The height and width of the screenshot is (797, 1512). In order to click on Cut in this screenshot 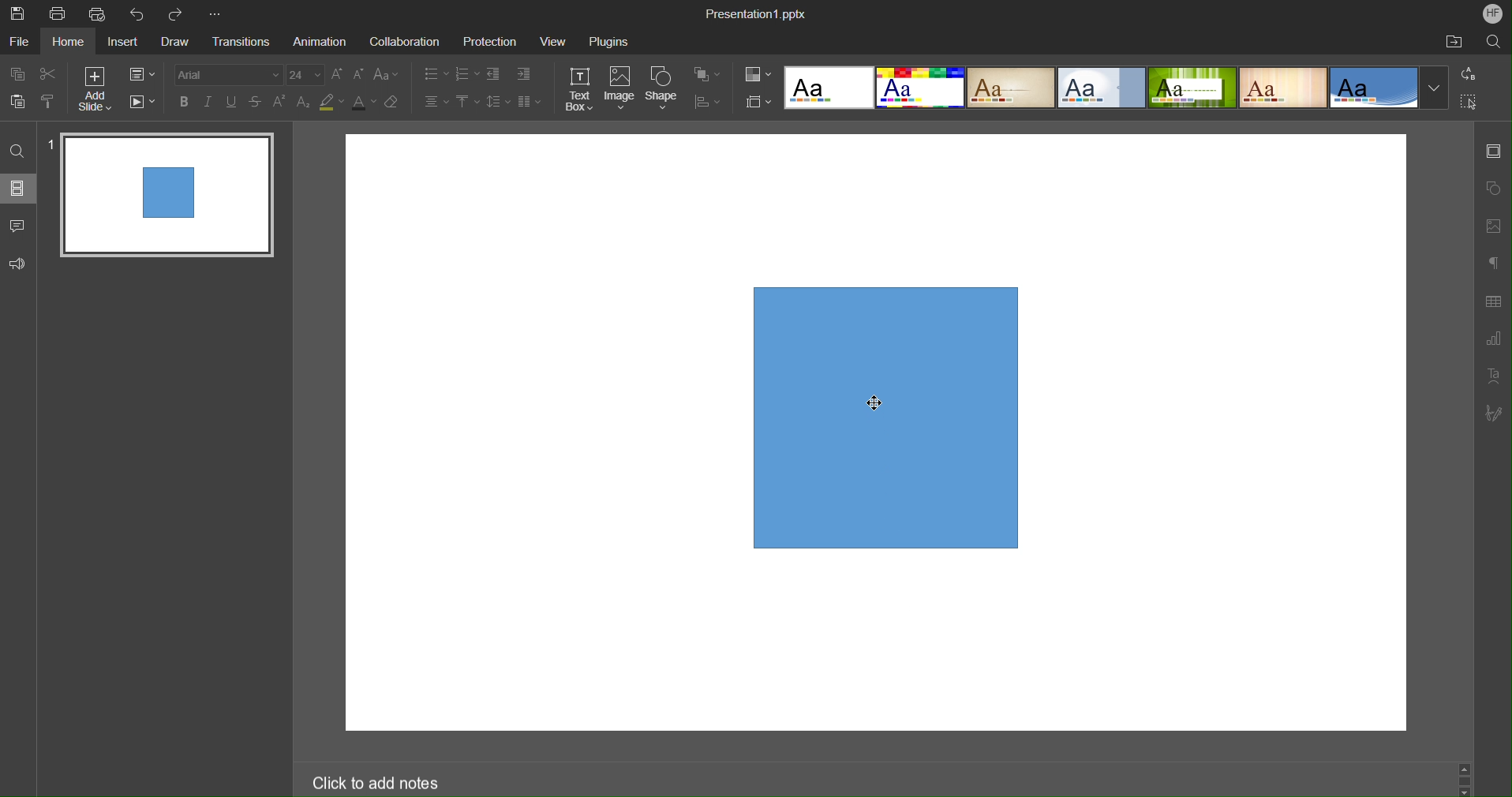, I will do `click(46, 73)`.